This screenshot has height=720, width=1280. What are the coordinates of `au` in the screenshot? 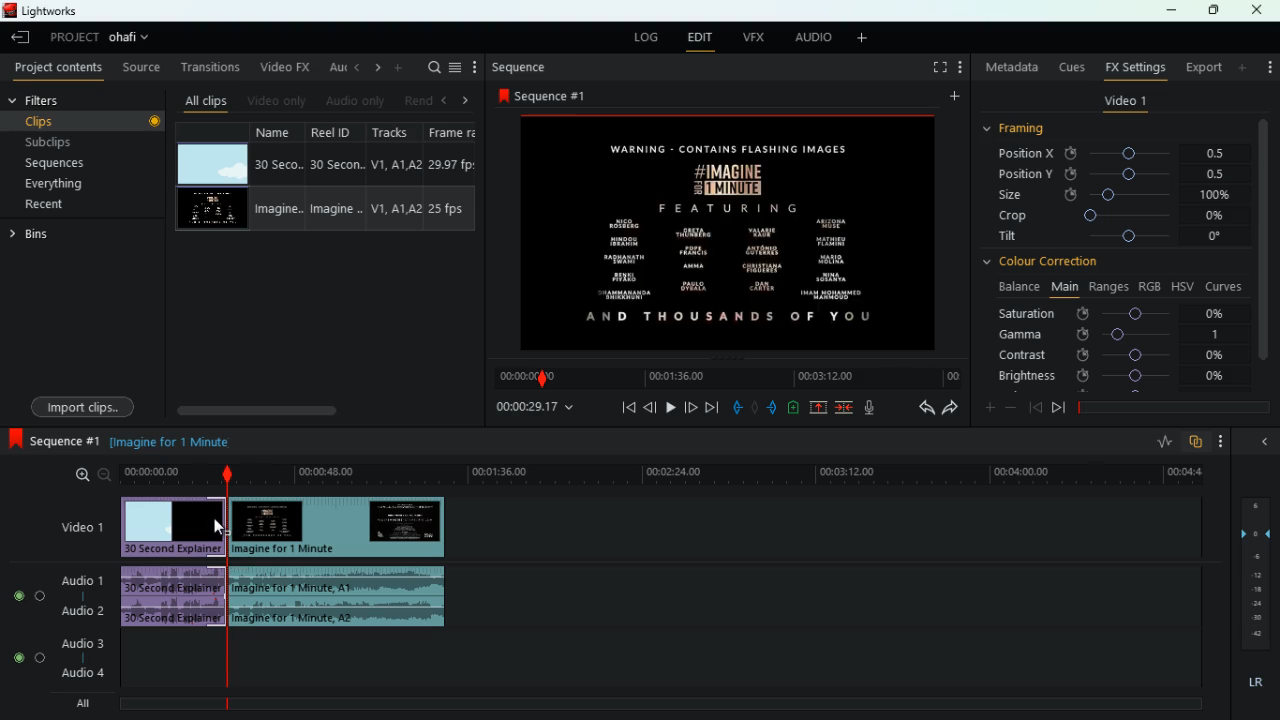 It's located at (334, 67).